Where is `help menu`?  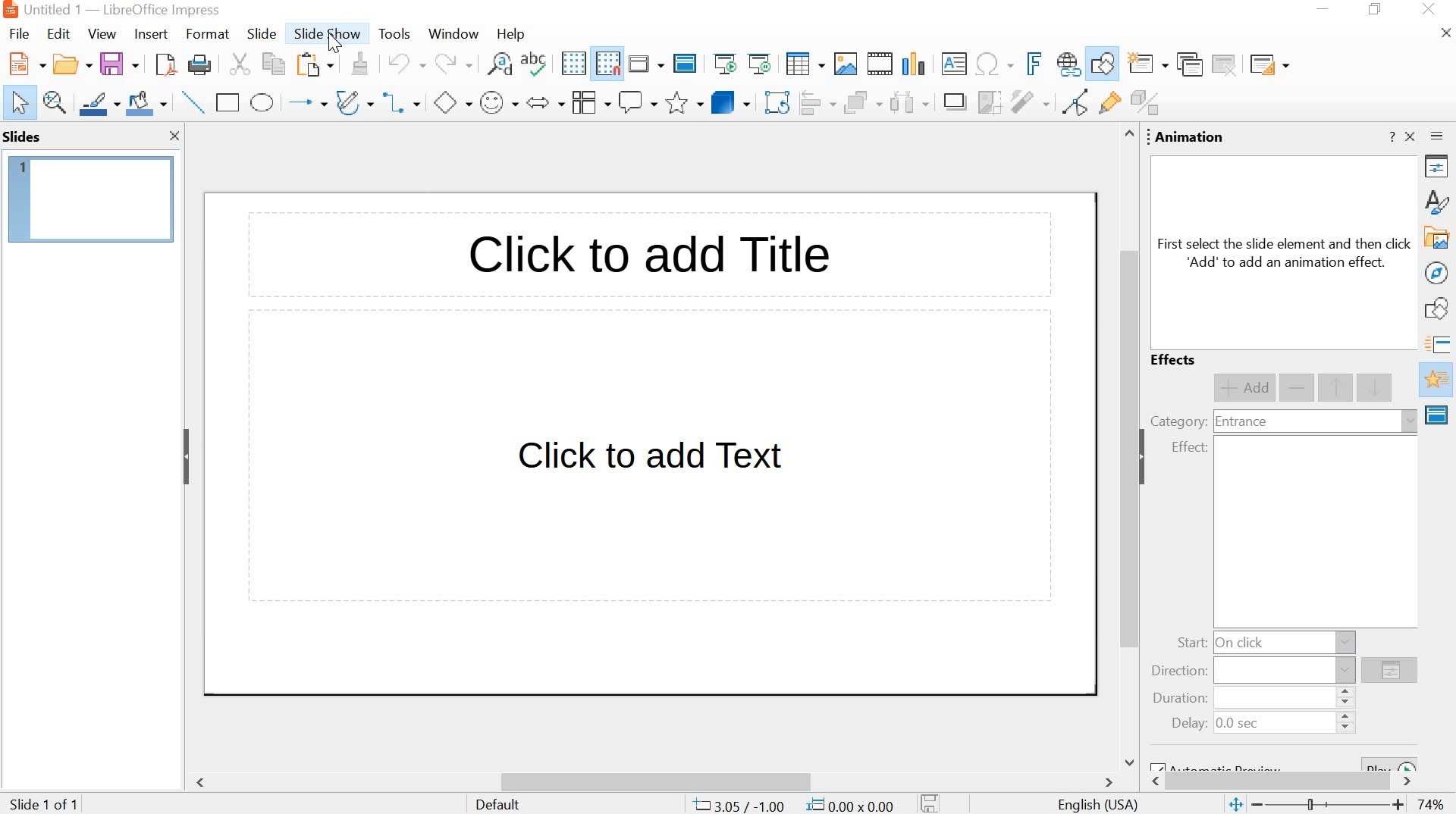 help menu is located at coordinates (510, 34).